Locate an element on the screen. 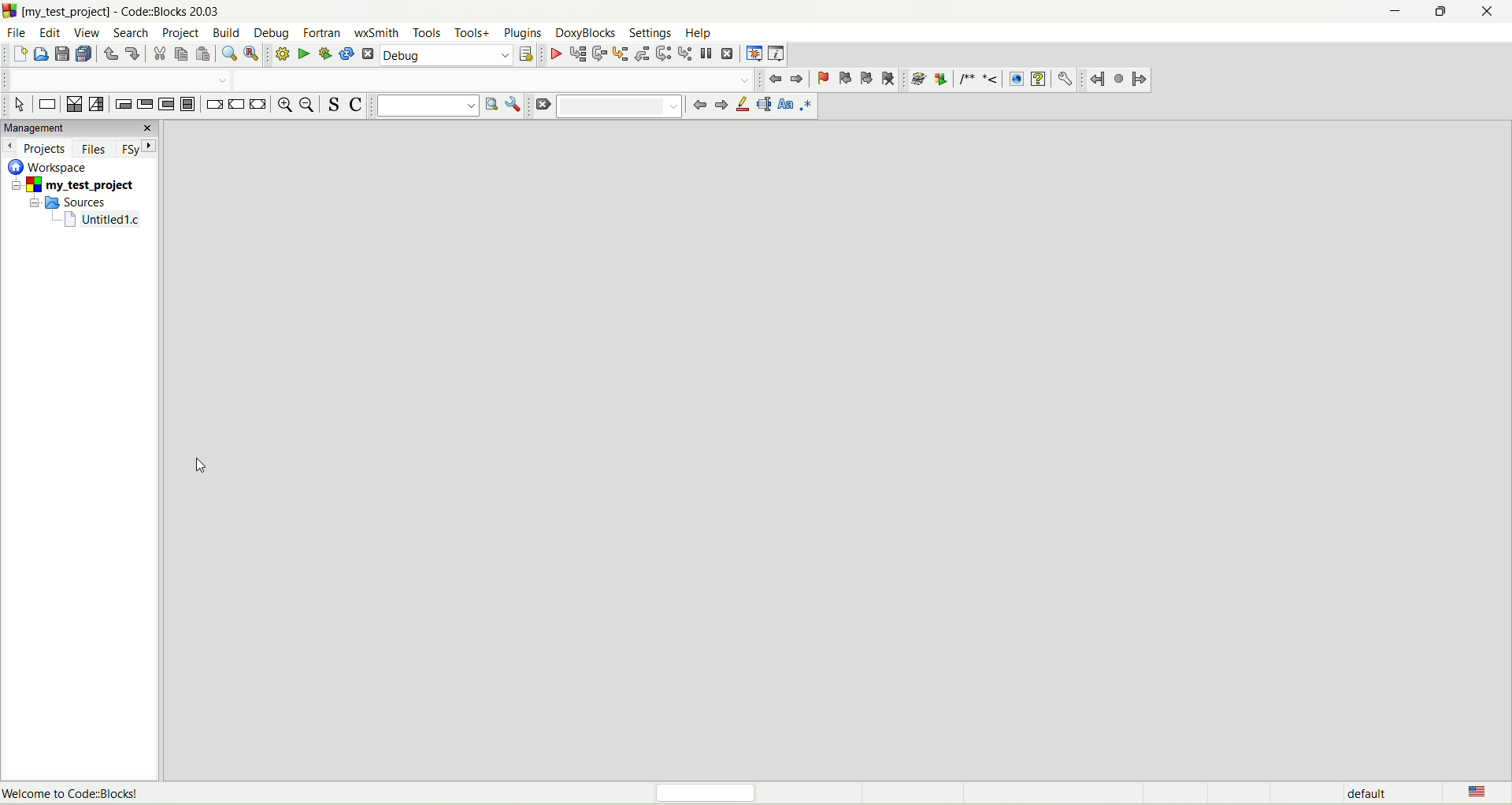 The width and height of the screenshot is (1512, 805). find is located at coordinates (231, 56).